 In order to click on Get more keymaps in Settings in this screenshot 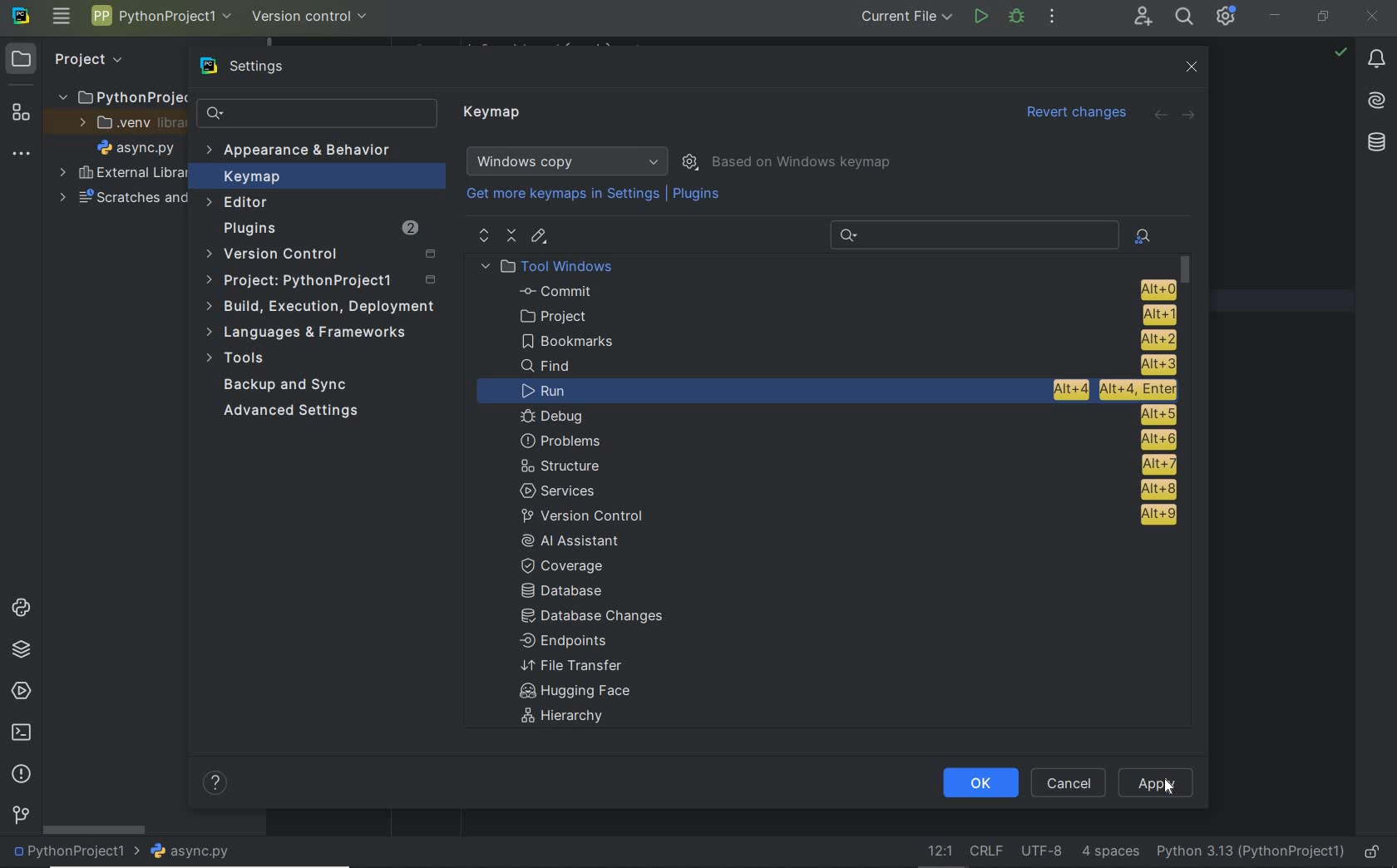, I will do `click(555, 195)`.